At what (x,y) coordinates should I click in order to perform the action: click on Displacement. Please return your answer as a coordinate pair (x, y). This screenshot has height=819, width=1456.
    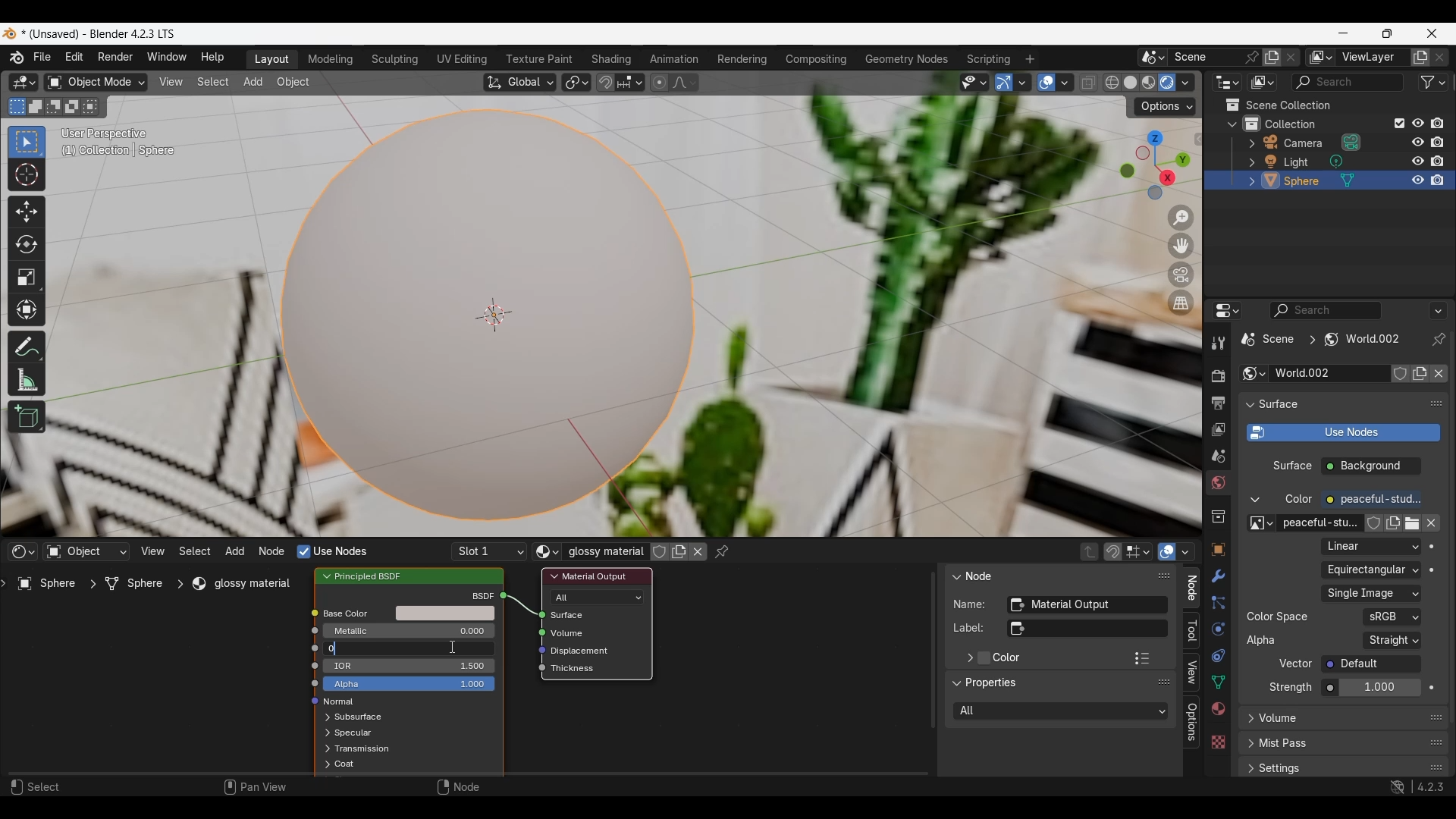
    Looking at the image, I should click on (585, 651).